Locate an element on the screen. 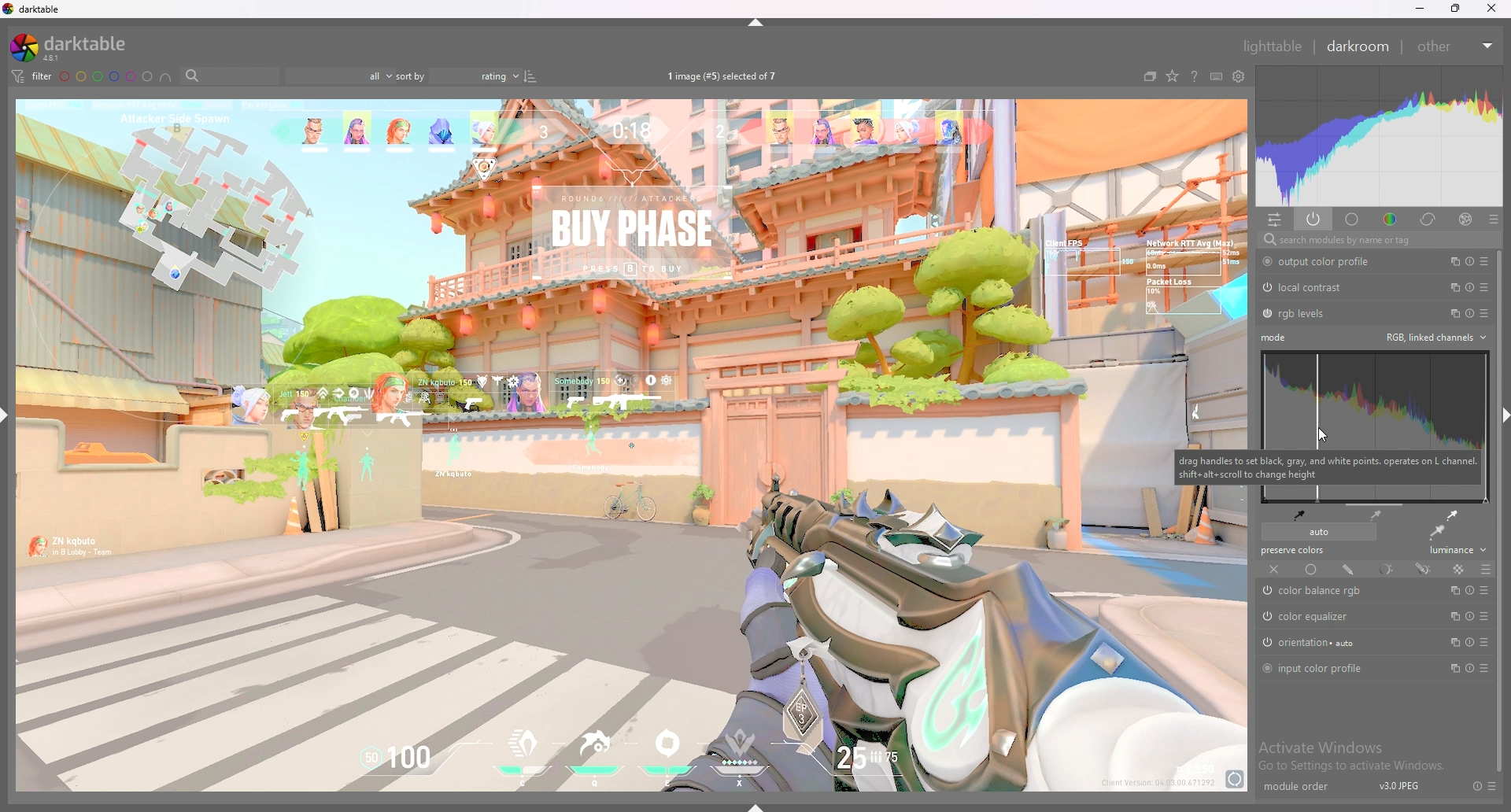 The height and width of the screenshot is (812, 1511). change type of overlays is located at coordinates (1173, 77).